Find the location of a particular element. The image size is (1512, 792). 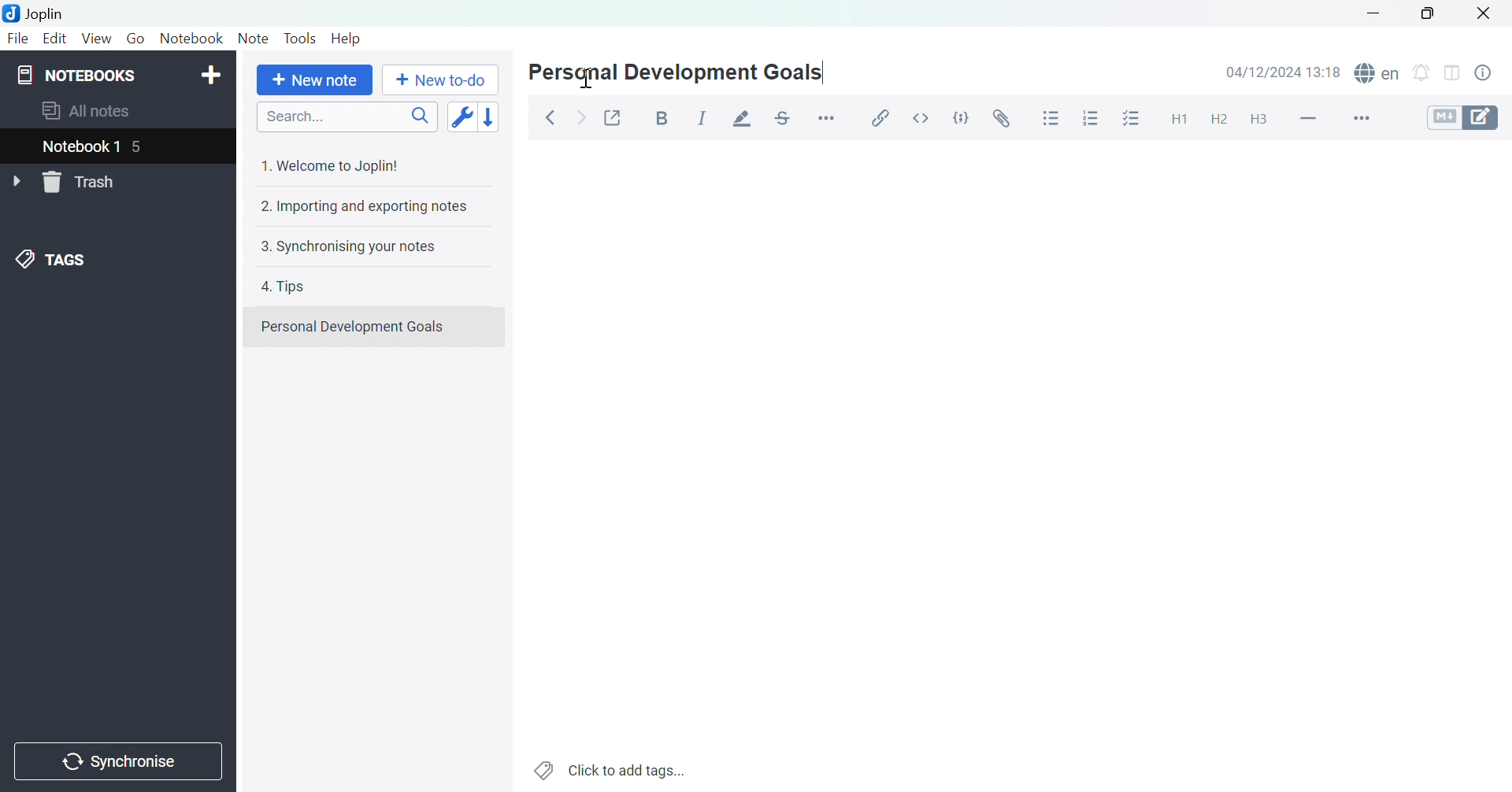

Highlight is located at coordinates (744, 118).